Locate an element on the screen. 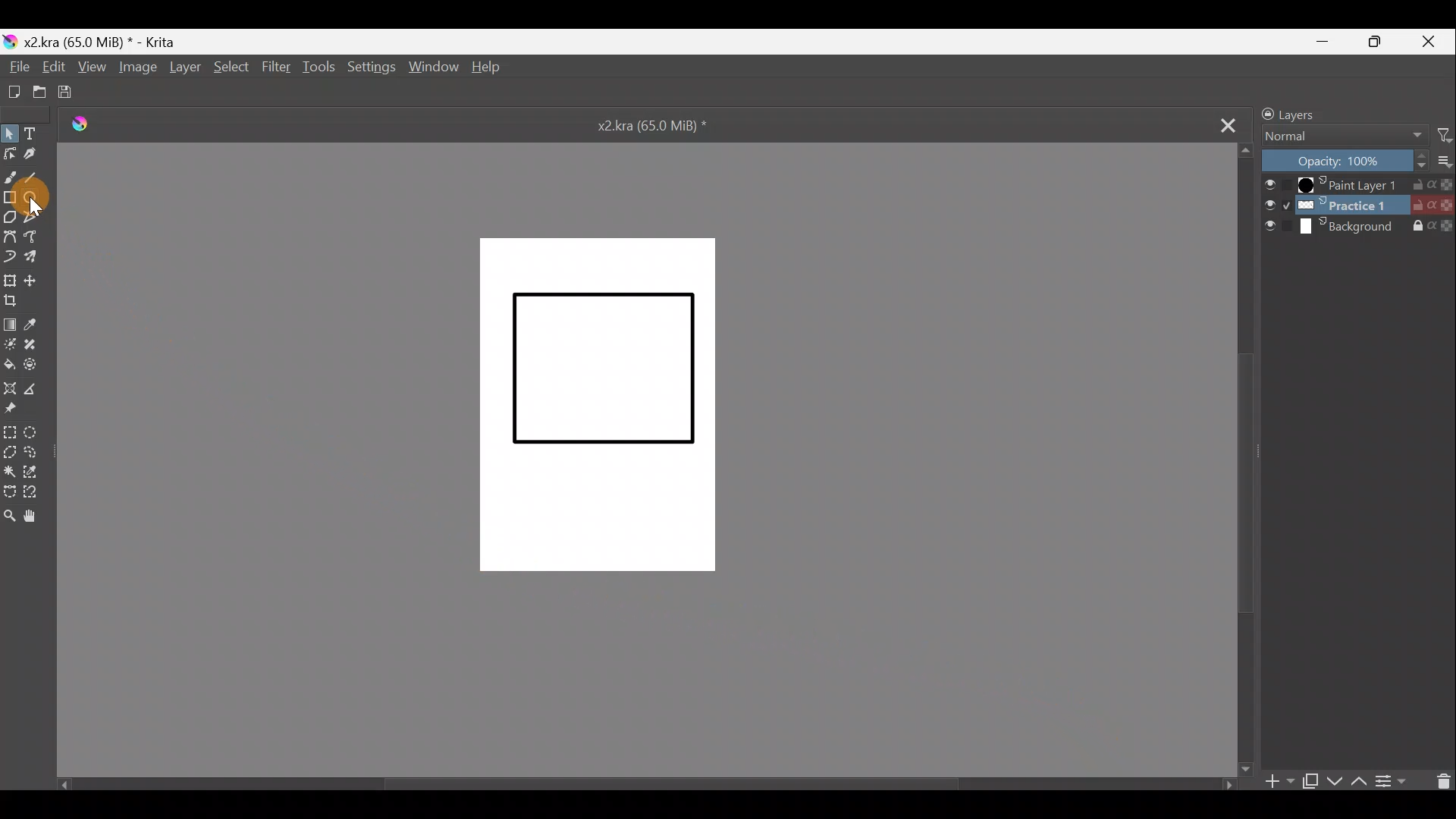 This screenshot has height=819, width=1456. View is located at coordinates (95, 68).